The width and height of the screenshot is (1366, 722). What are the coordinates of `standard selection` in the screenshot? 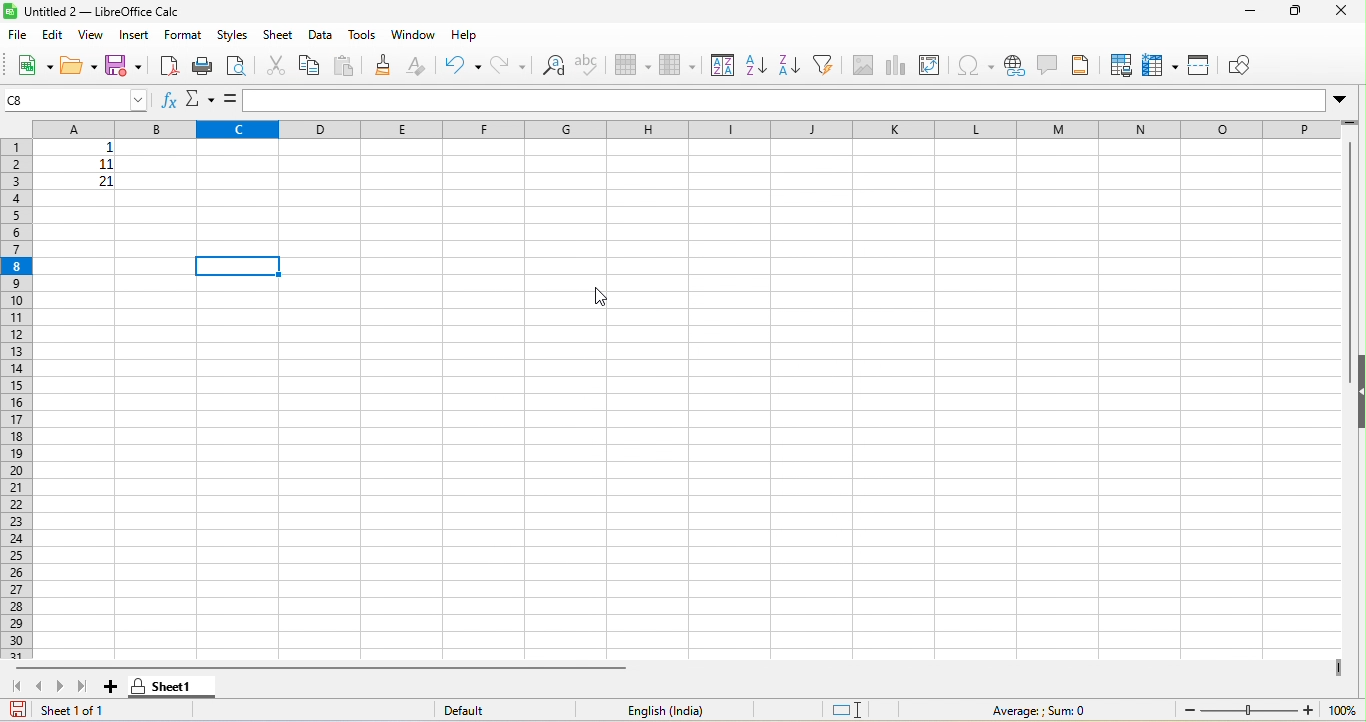 It's located at (847, 711).